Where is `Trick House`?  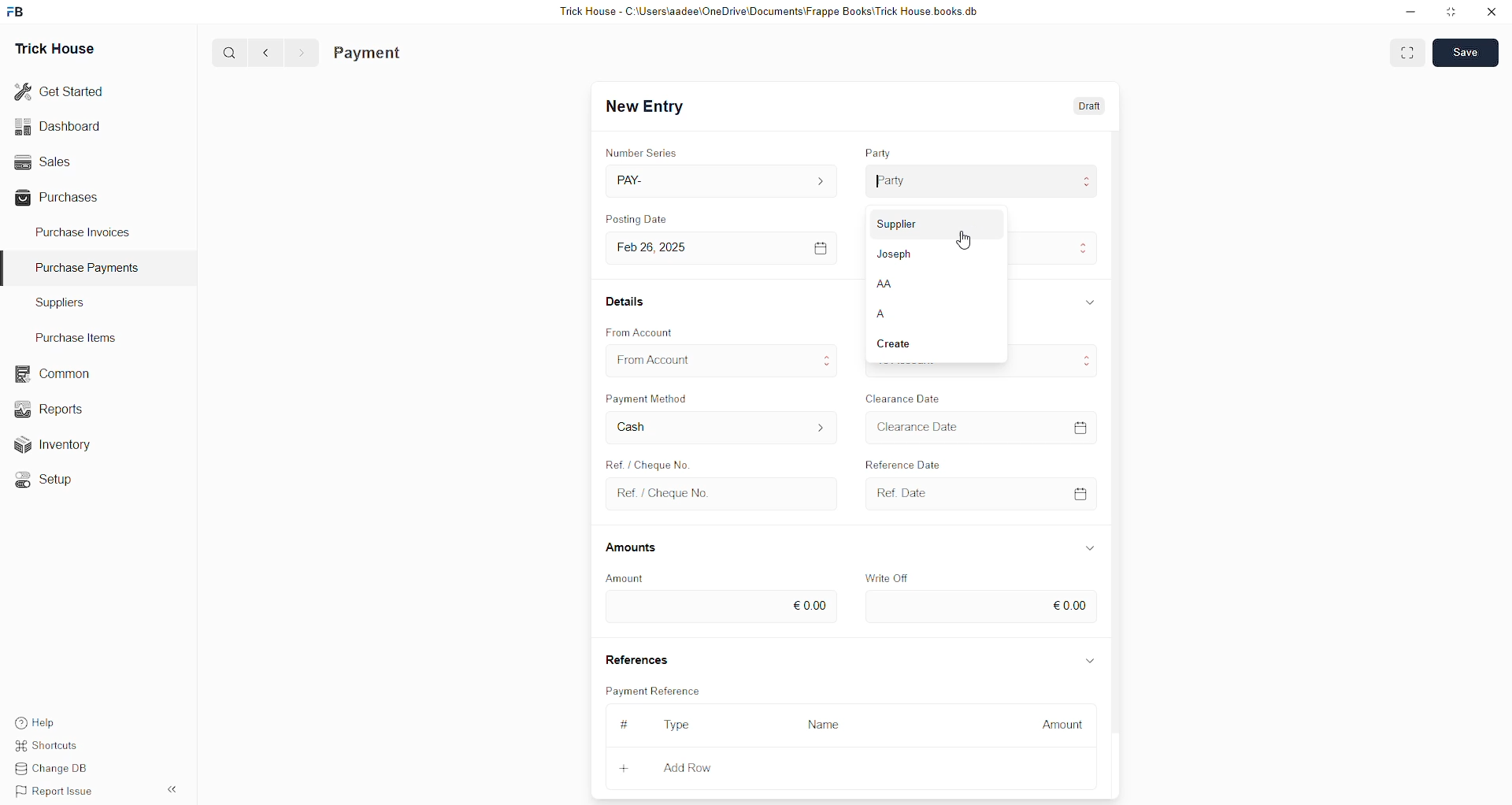 Trick House is located at coordinates (57, 46).